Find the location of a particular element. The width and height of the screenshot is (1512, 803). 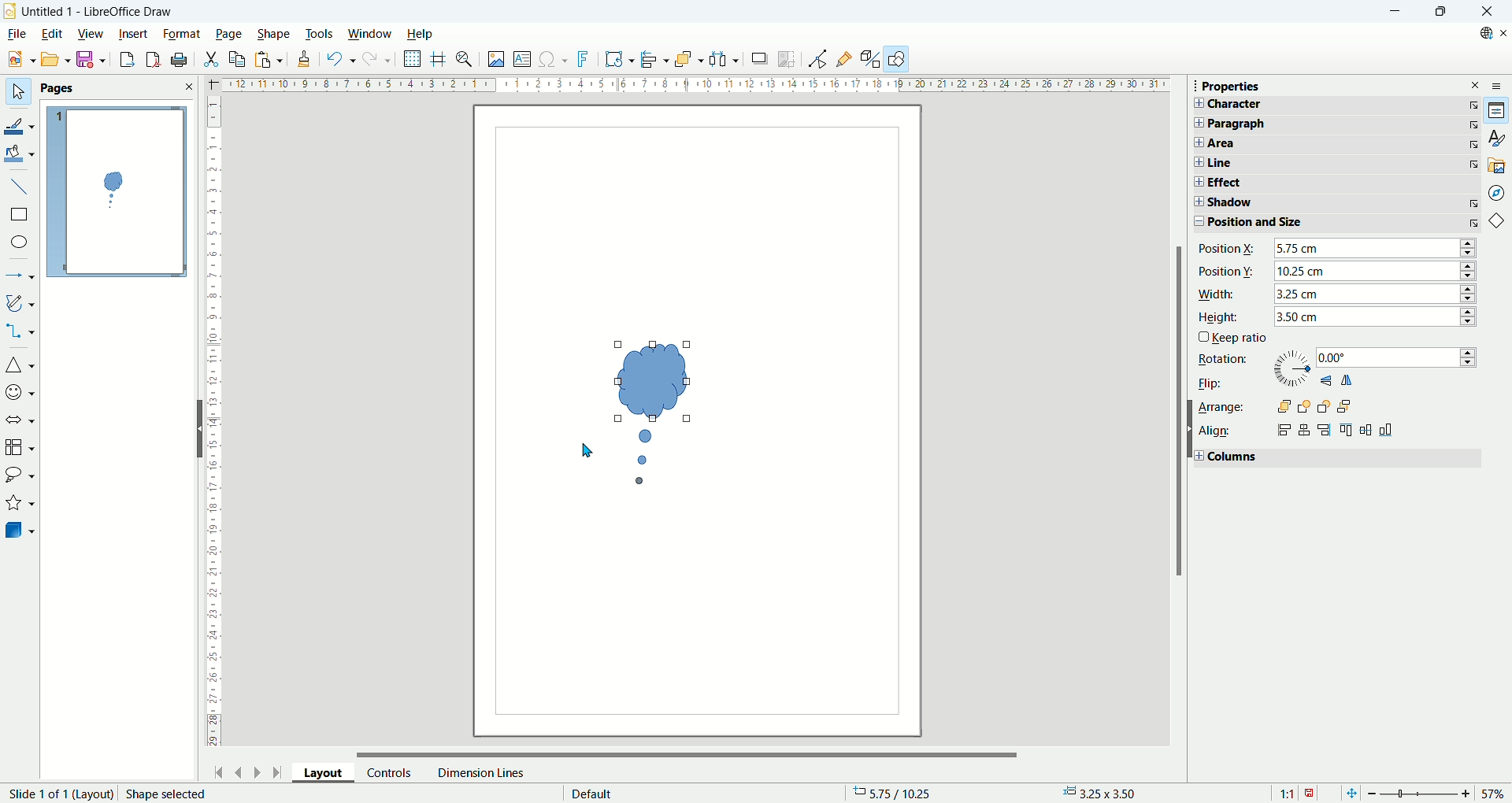

insert textbox is located at coordinates (524, 60).